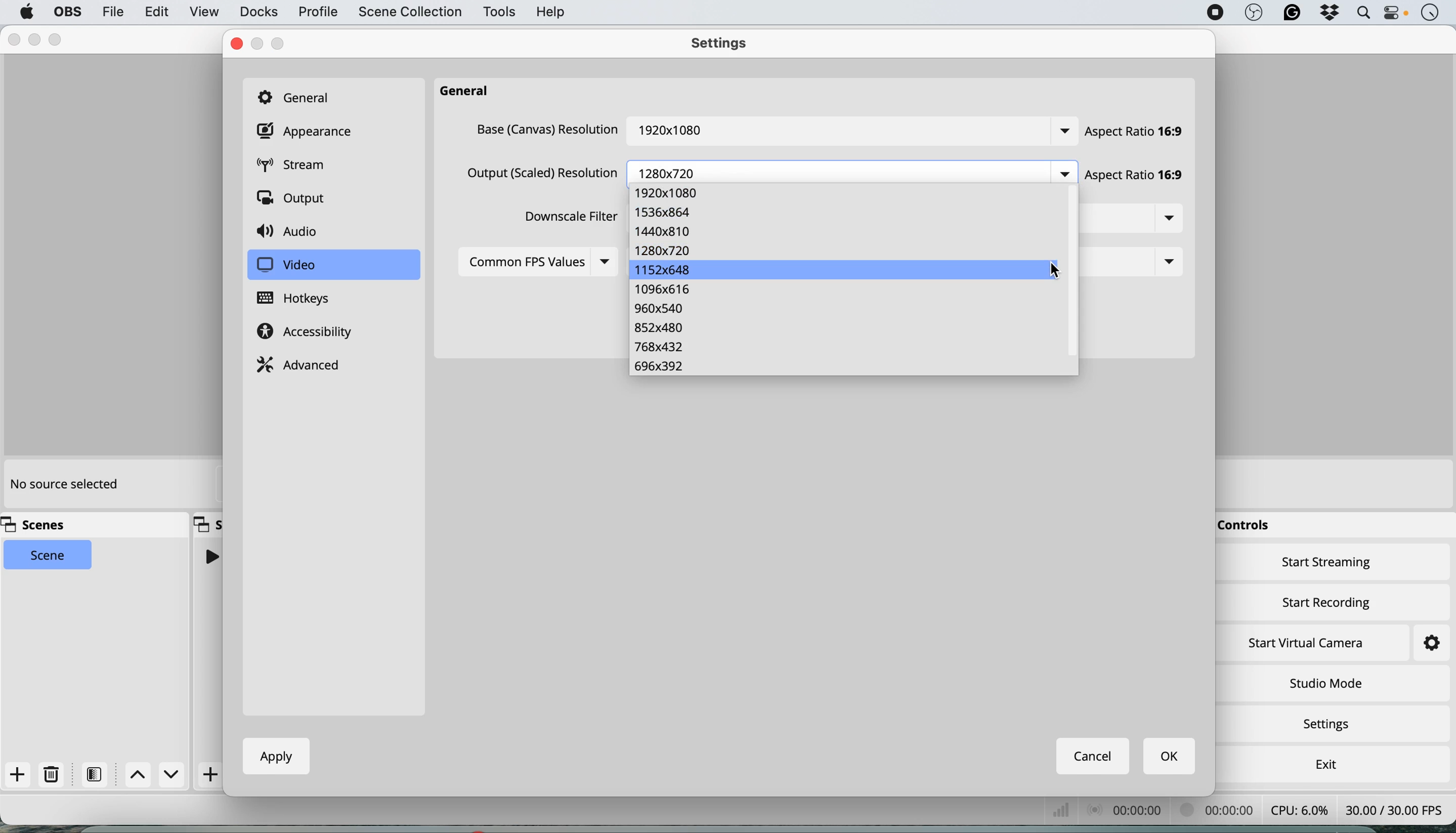 This screenshot has width=1456, height=833. What do you see at coordinates (1298, 809) in the screenshot?
I see `cpu usage` at bounding box center [1298, 809].